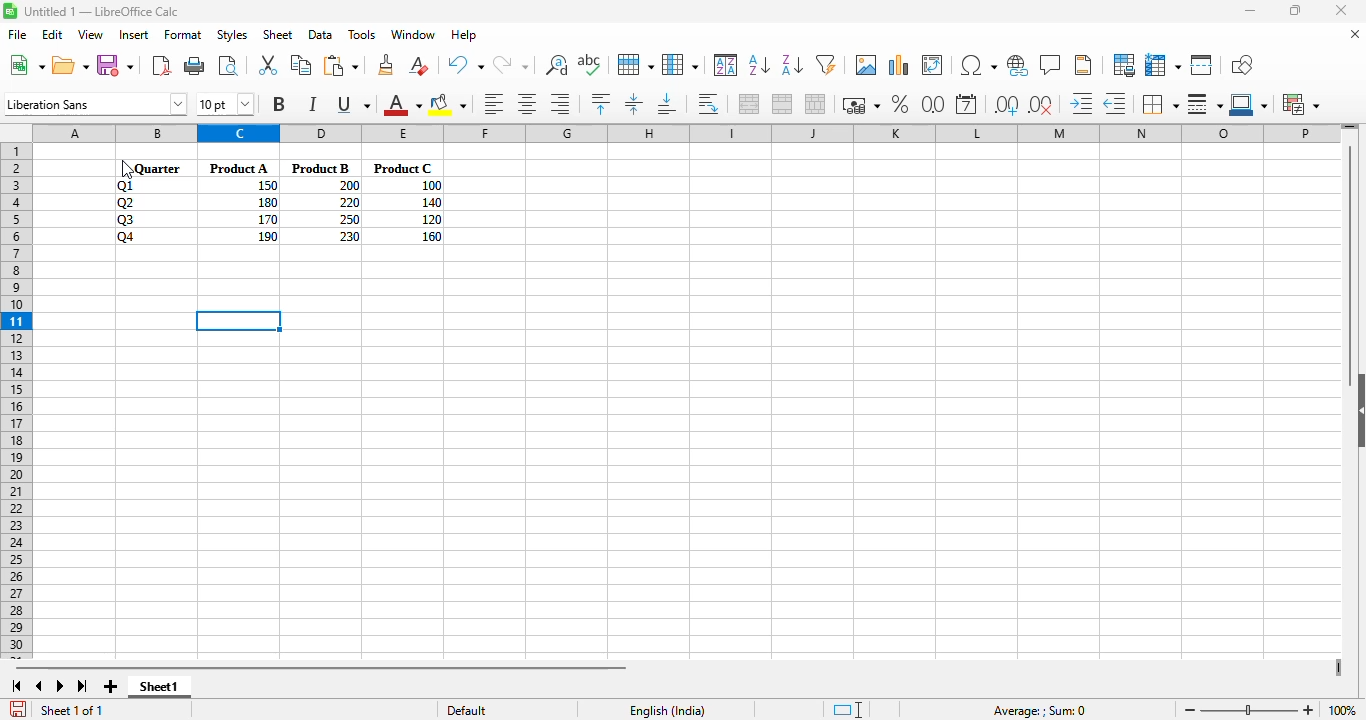  I want to click on view, so click(90, 34).